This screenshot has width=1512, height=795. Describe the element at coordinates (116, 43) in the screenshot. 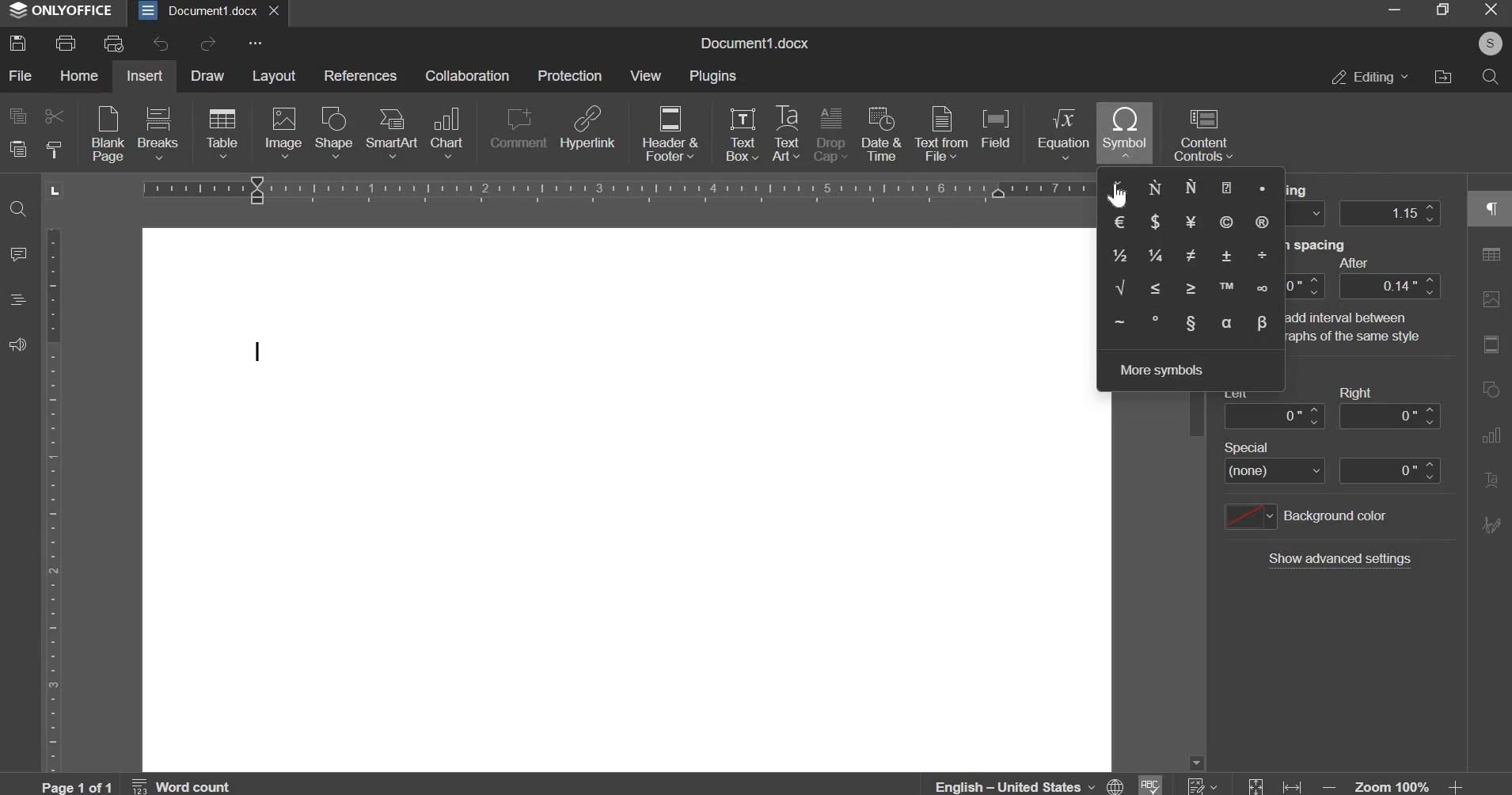

I see `print preview` at that location.